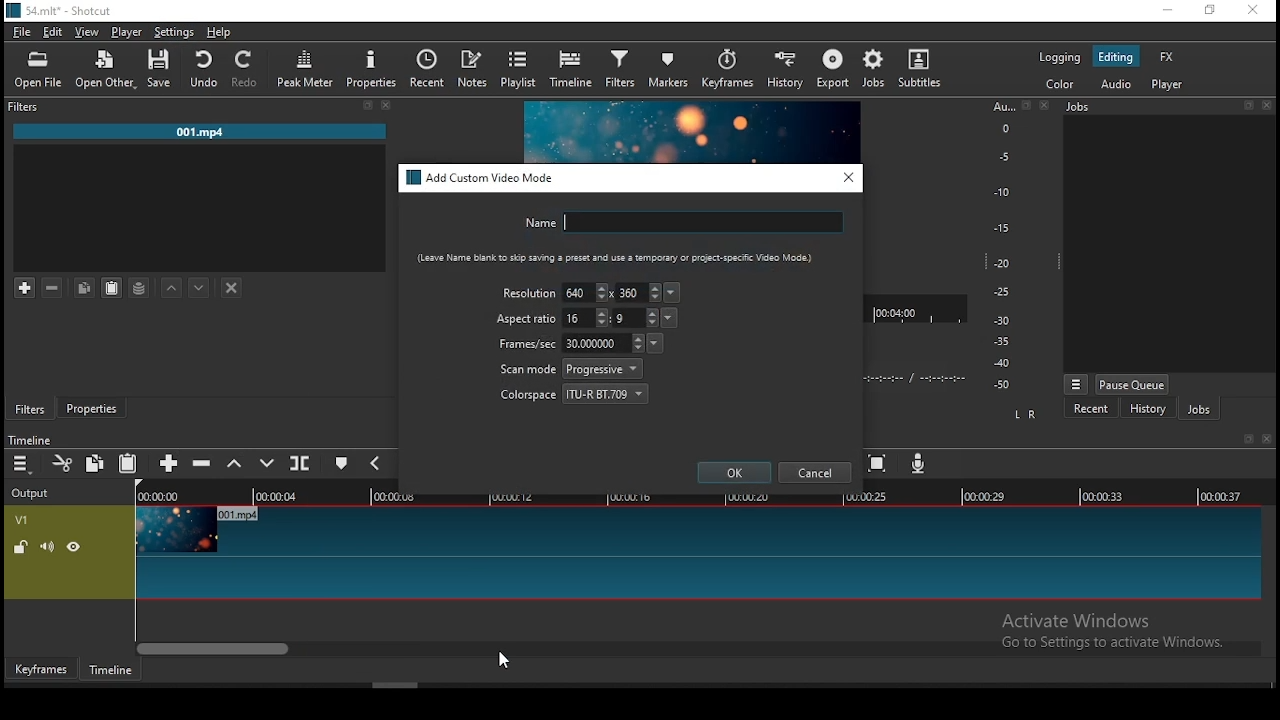 The image size is (1280, 720). What do you see at coordinates (585, 291) in the screenshot?
I see `width` at bounding box center [585, 291].